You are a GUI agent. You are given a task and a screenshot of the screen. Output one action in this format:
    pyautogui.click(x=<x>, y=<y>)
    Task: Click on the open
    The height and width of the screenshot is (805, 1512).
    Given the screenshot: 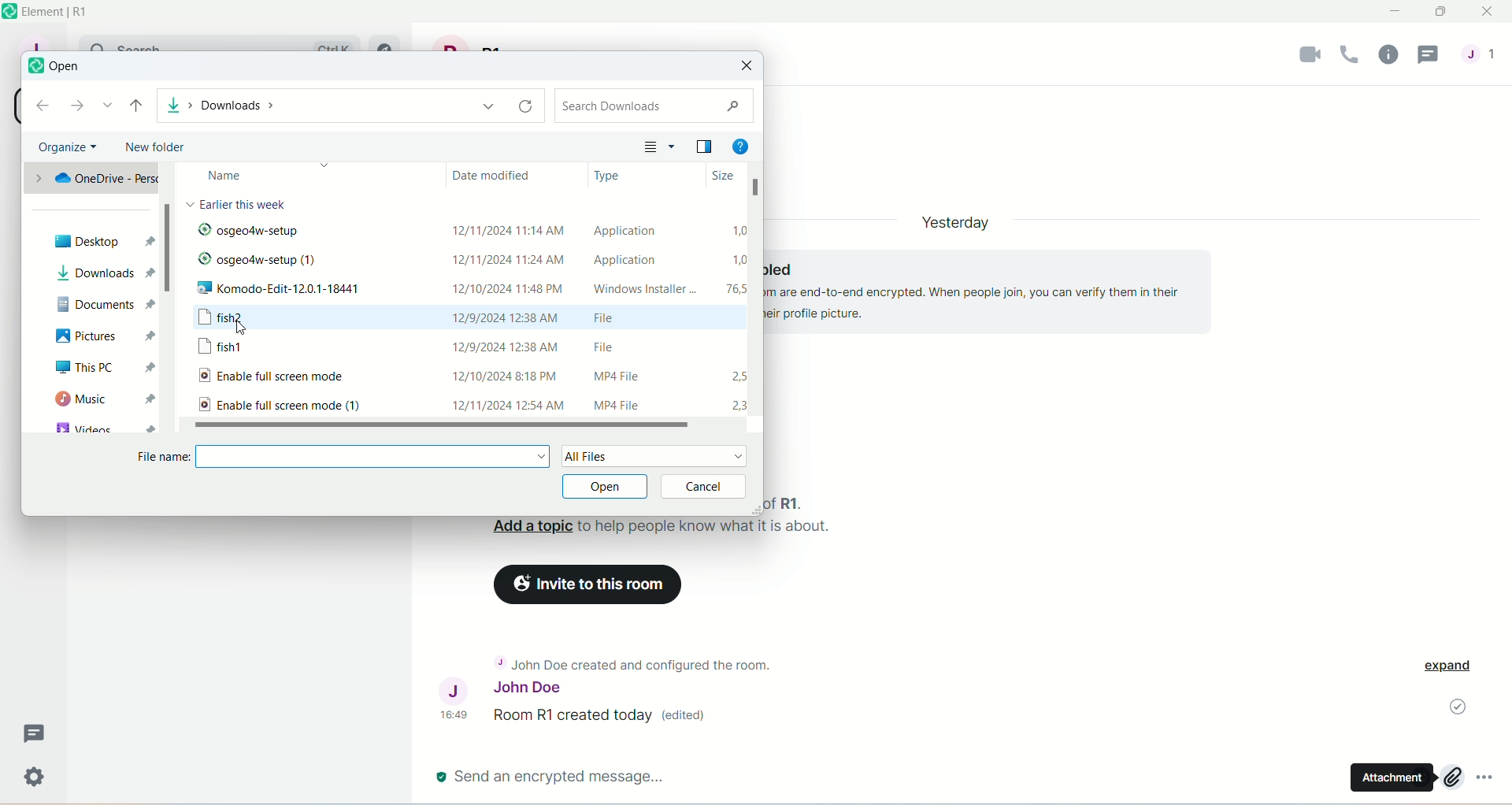 What is the action you would take?
    pyautogui.click(x=65, y=67)
    